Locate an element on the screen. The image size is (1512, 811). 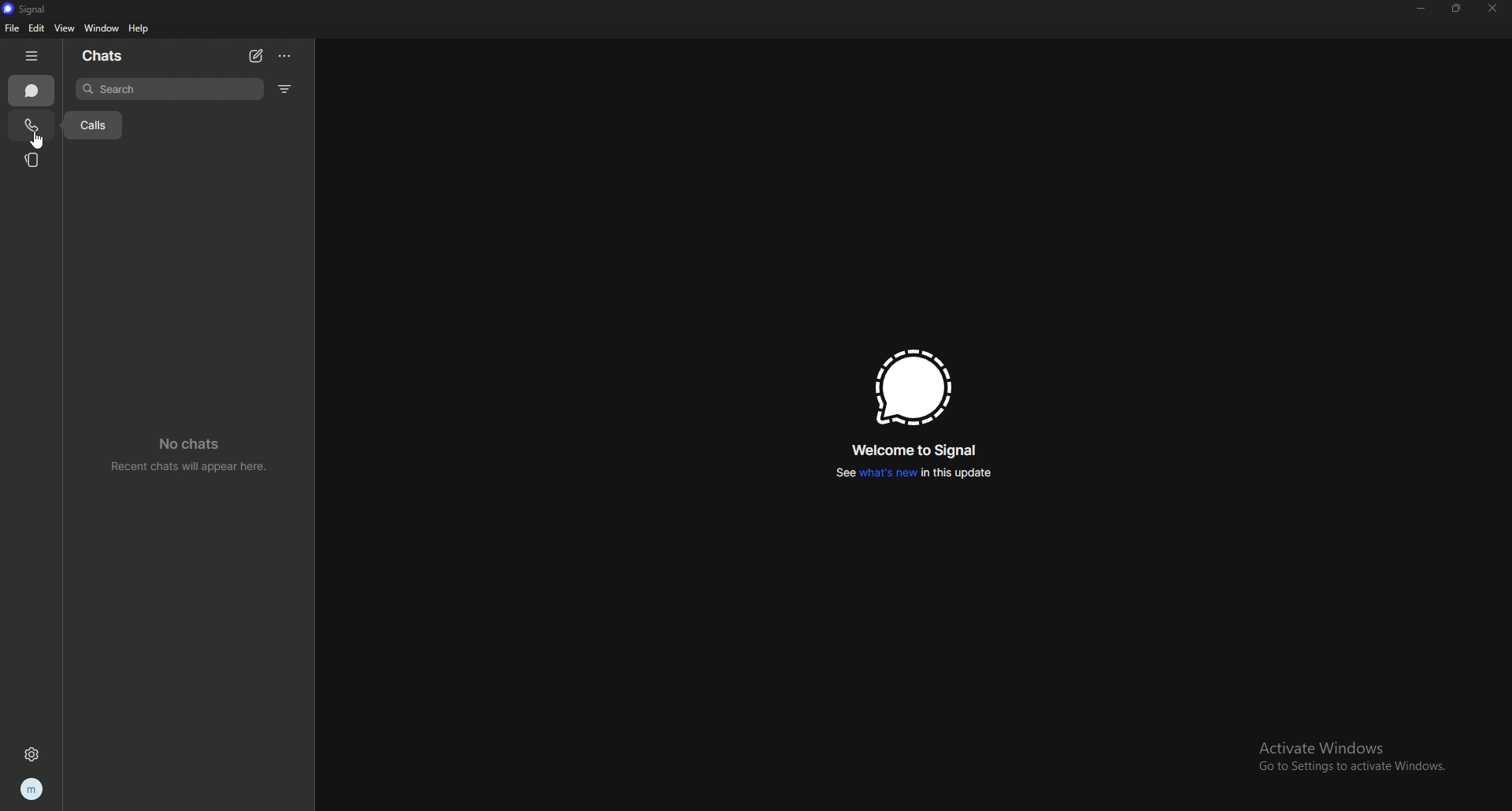
file is located at coordinates (13, 28).